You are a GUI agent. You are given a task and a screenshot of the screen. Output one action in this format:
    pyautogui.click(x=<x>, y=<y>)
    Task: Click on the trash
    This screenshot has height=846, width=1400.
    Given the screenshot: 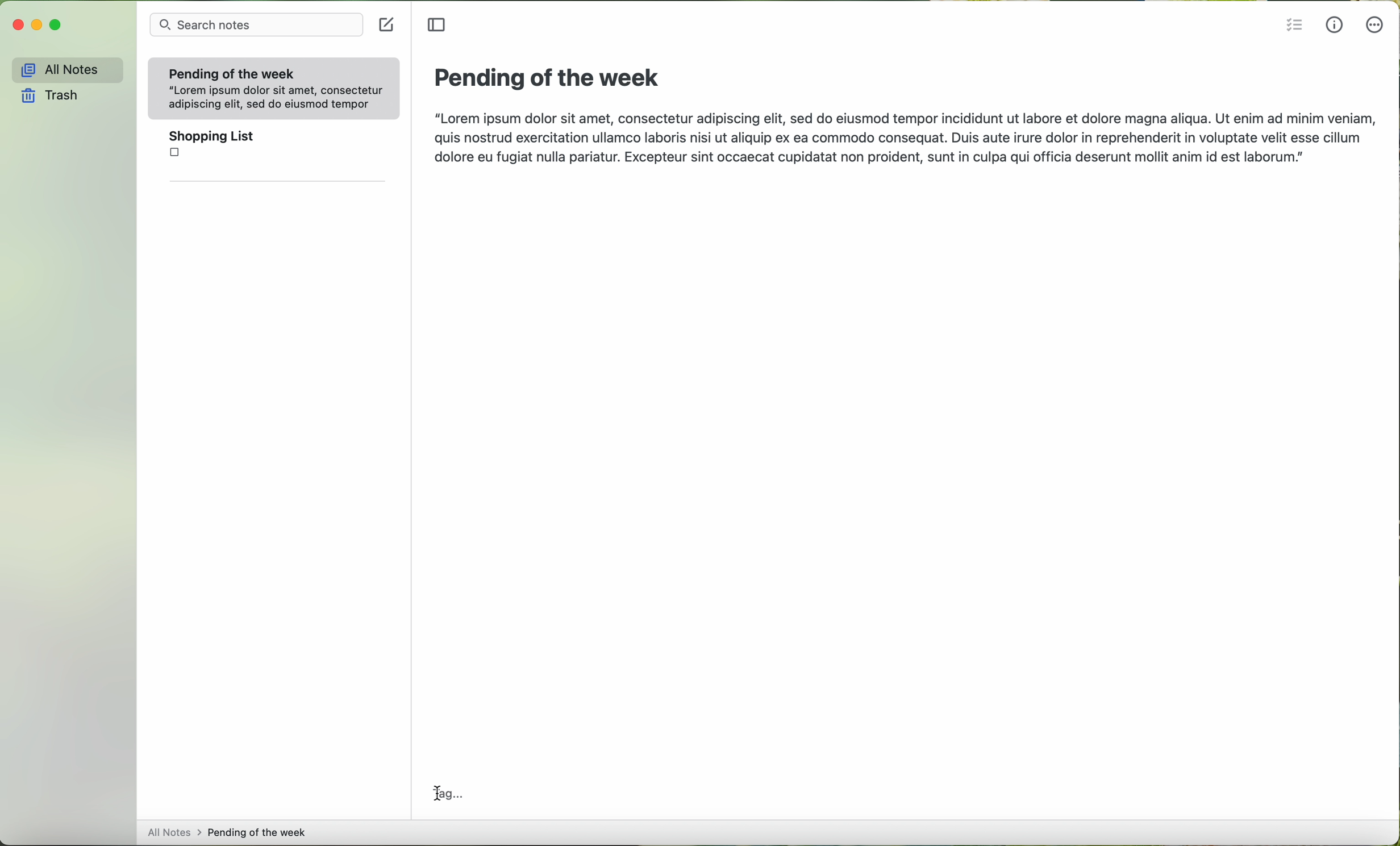 What is the action you would take?
    pyautogui.click(x=48, y=95)
    